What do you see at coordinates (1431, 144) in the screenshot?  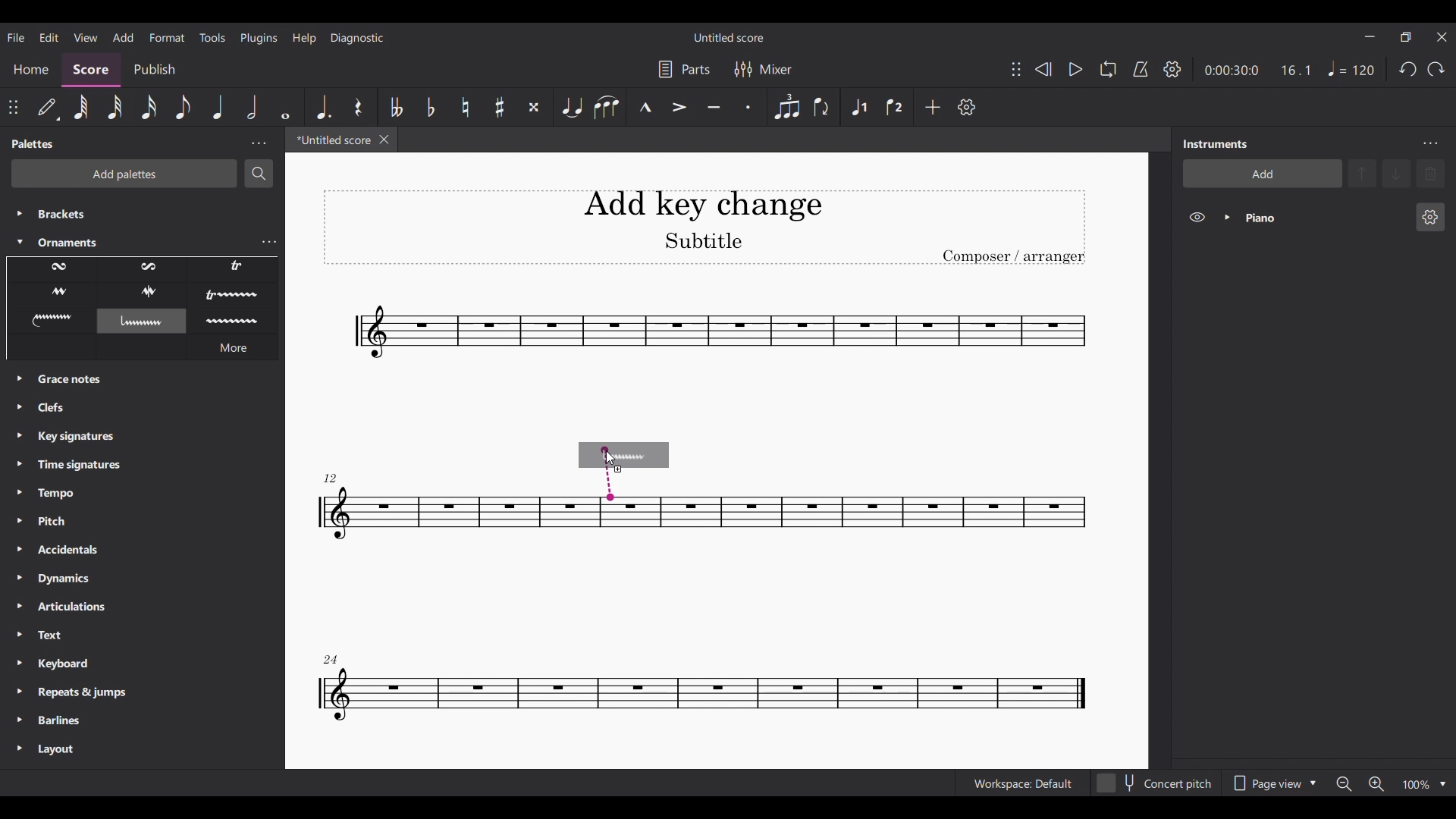 I see `Instruments settings` at bounding box center [1431, 144].